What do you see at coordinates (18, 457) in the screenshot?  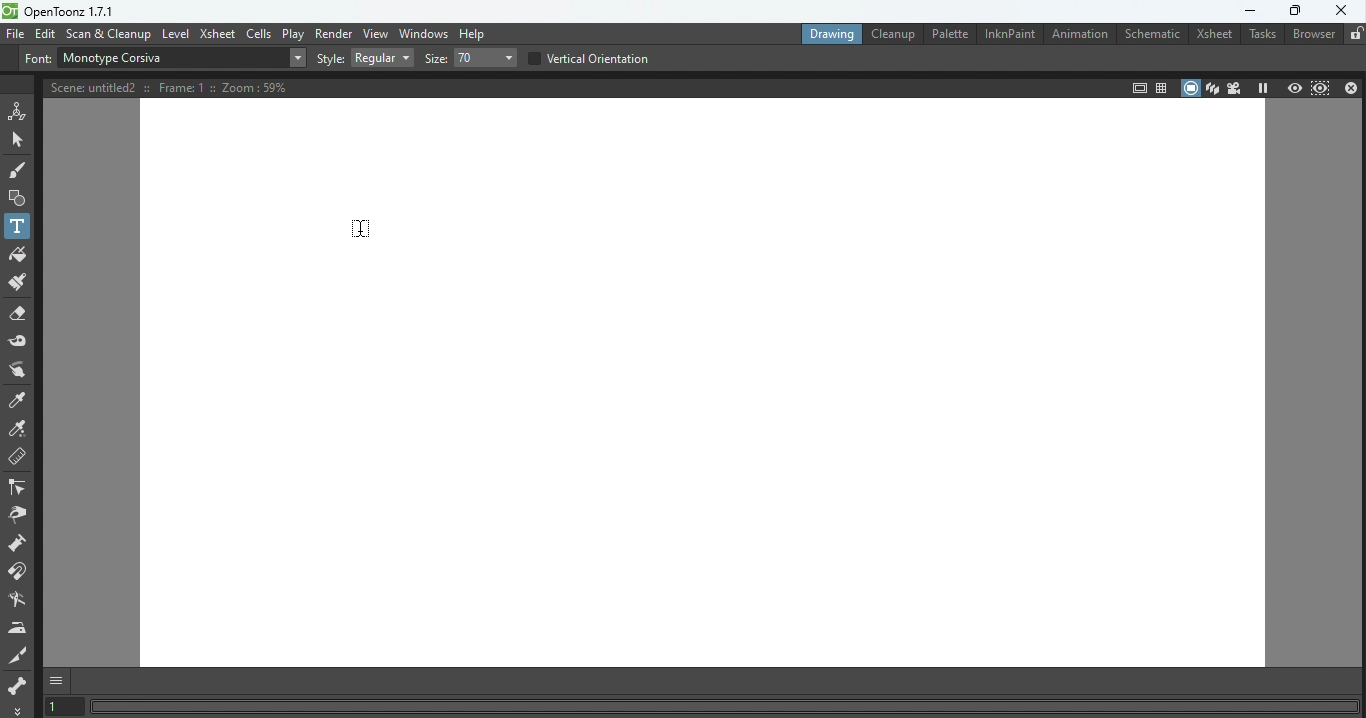 I see `Ruler tool` at bounding box center [18, 457].